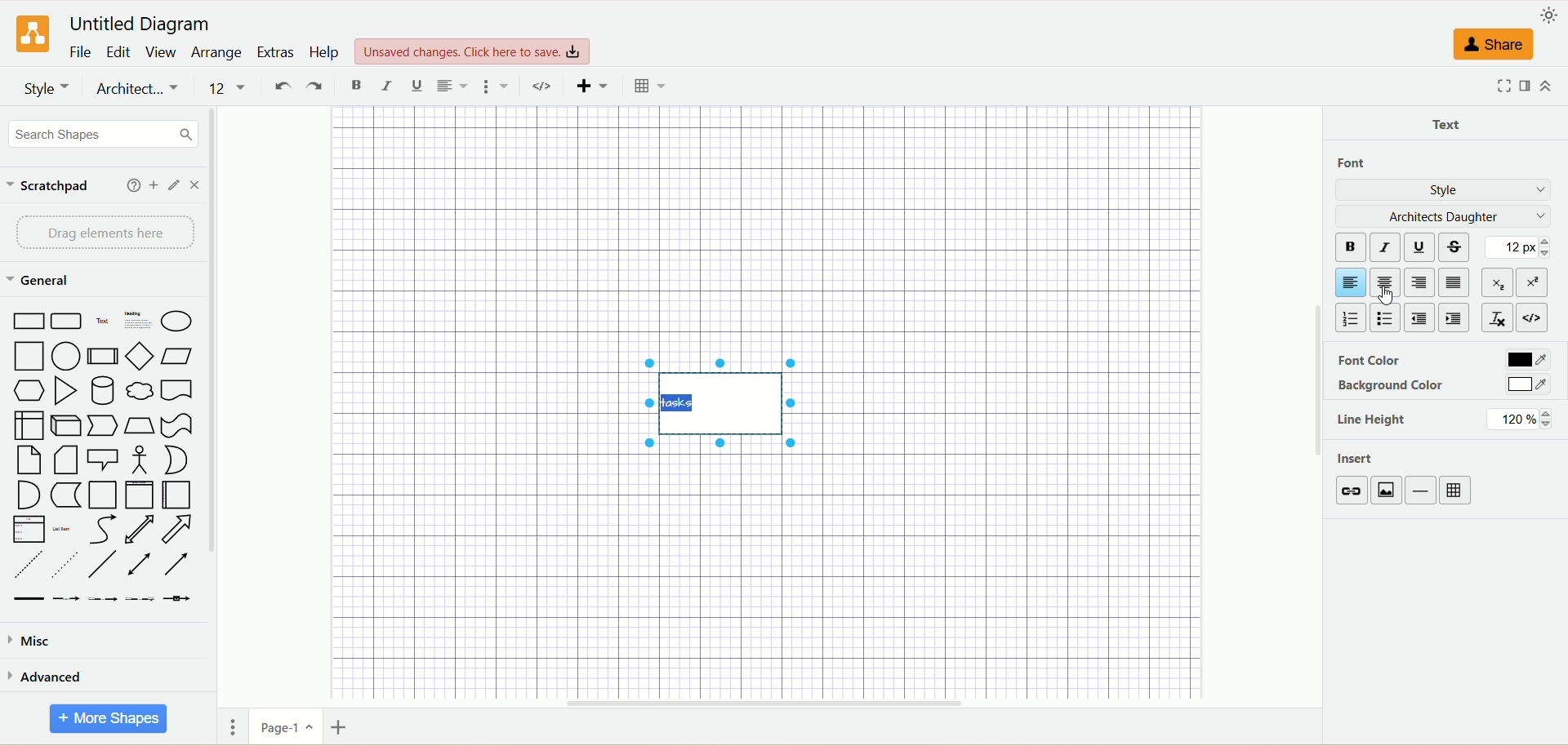  Describe the element at coordinates (1546, 86) in the screenshot. I see `collapse/expand` at that location.